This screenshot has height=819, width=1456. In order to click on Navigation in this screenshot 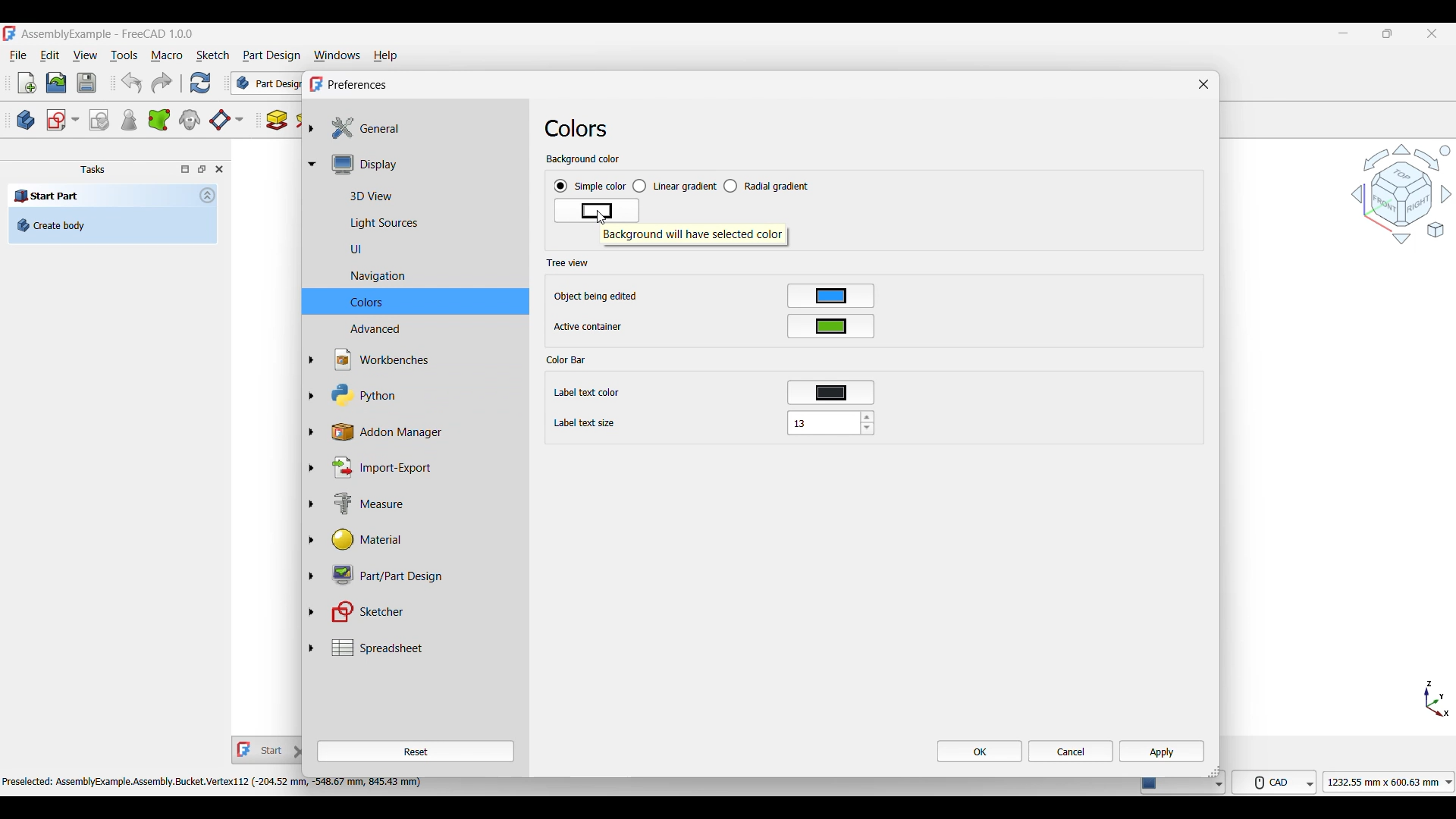, I will do `click(423, 277)`.